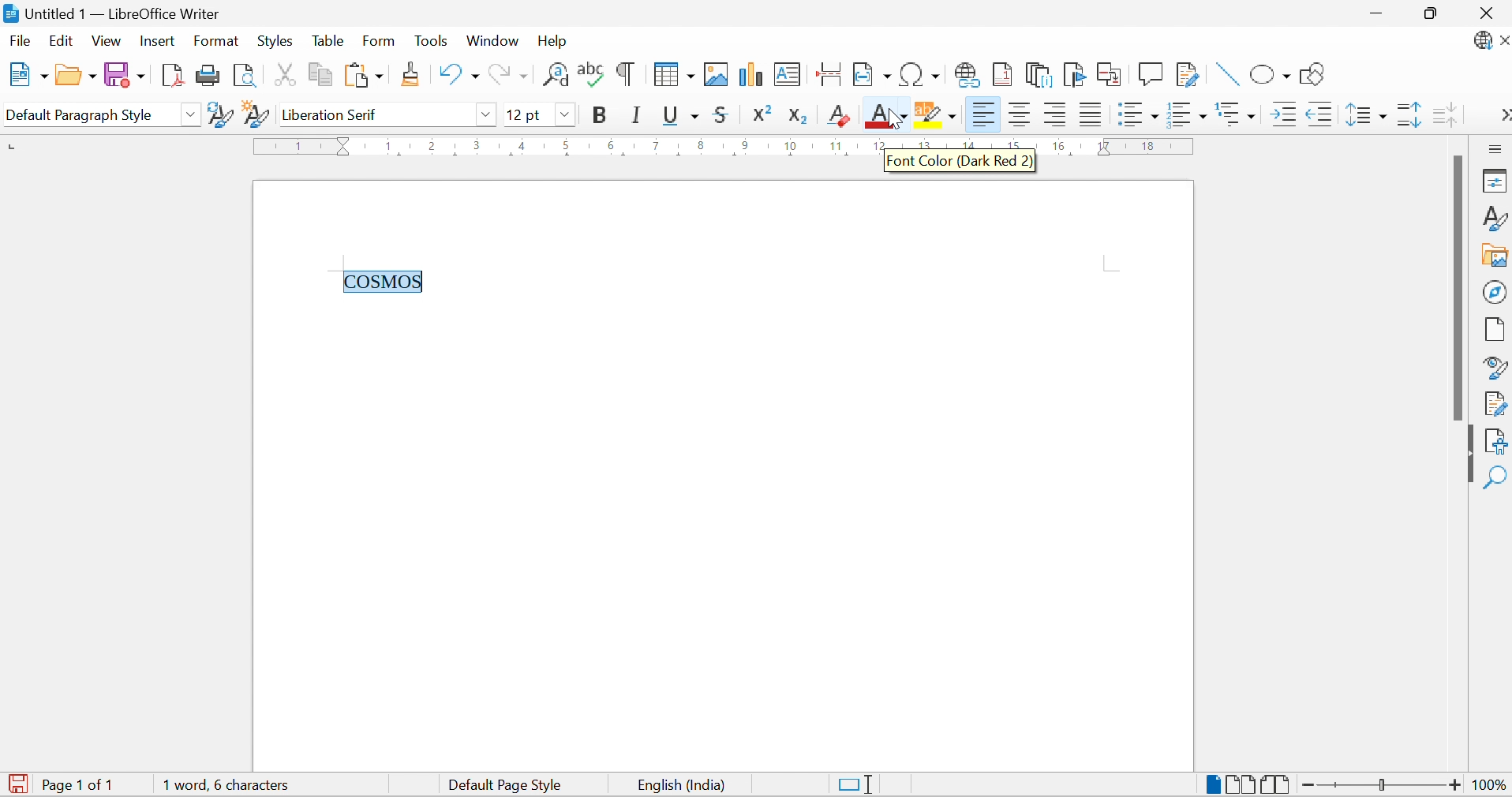 This screenshot has width=1512, height=797. What do you see at coordinates (170, 74) in the screenshot?
I see `Export as PDF` at bounding box center [170, 74].